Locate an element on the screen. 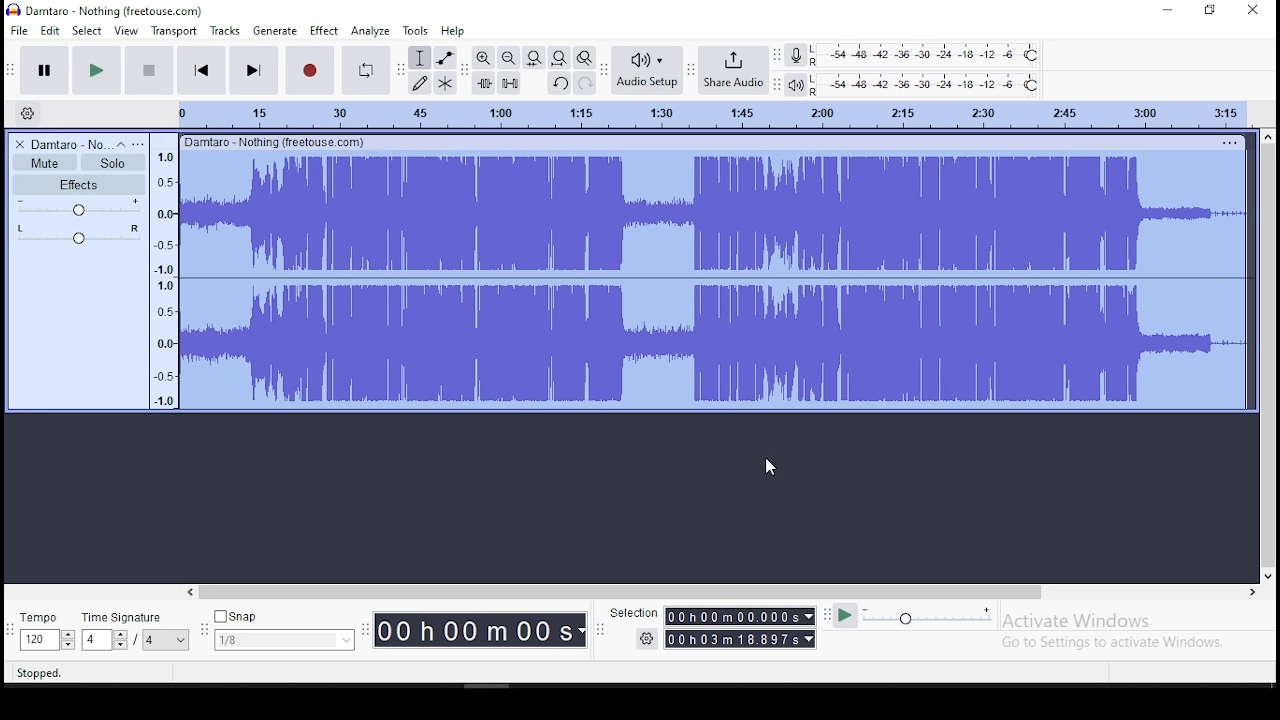 The height and width of the screenshot is (720, 1280). zoom out is located at coordinates (507, 57).